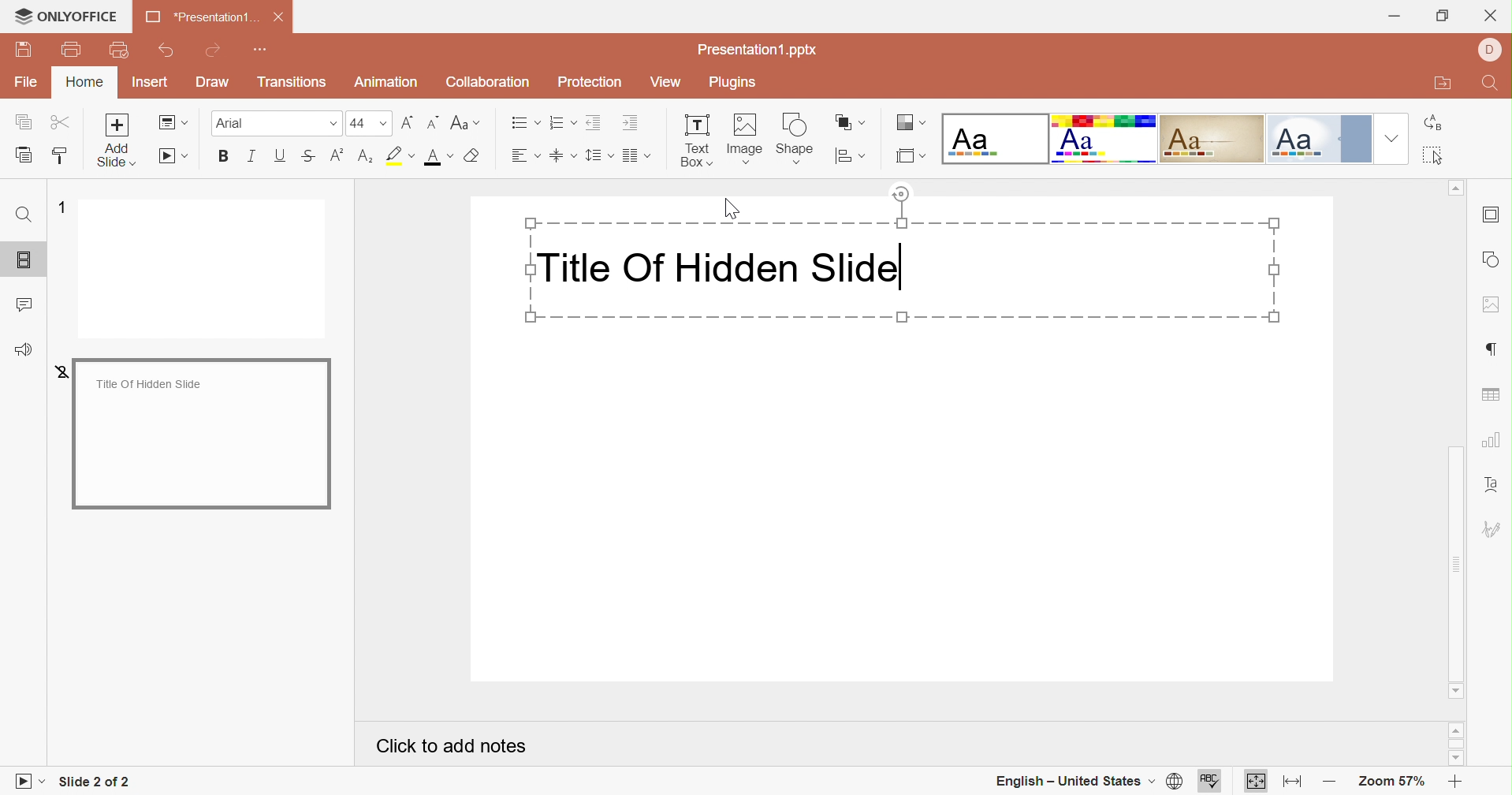  I want to click on add slide with theme, so click(117, 155).